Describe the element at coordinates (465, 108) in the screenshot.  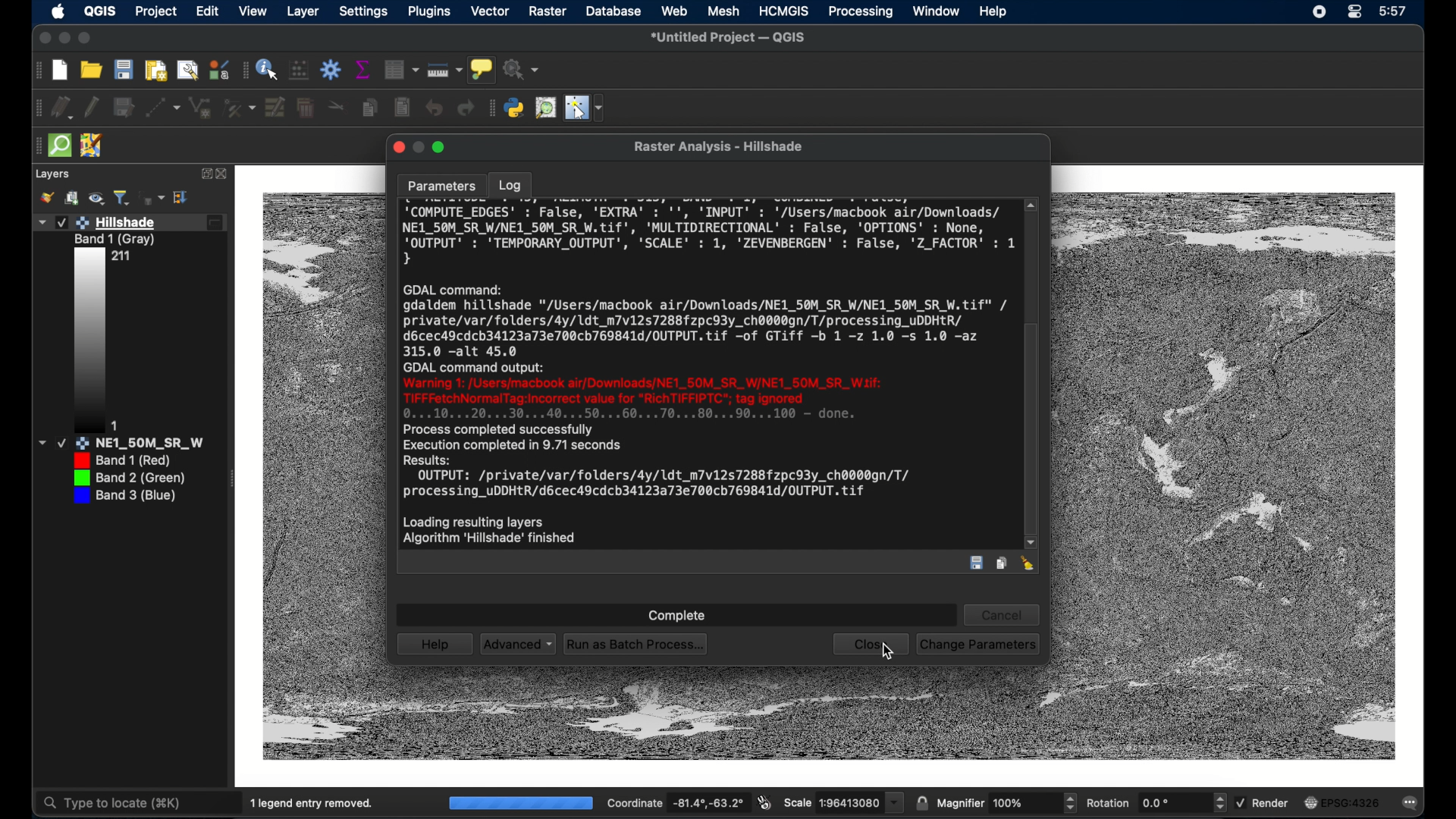
I see `redo` at that location.